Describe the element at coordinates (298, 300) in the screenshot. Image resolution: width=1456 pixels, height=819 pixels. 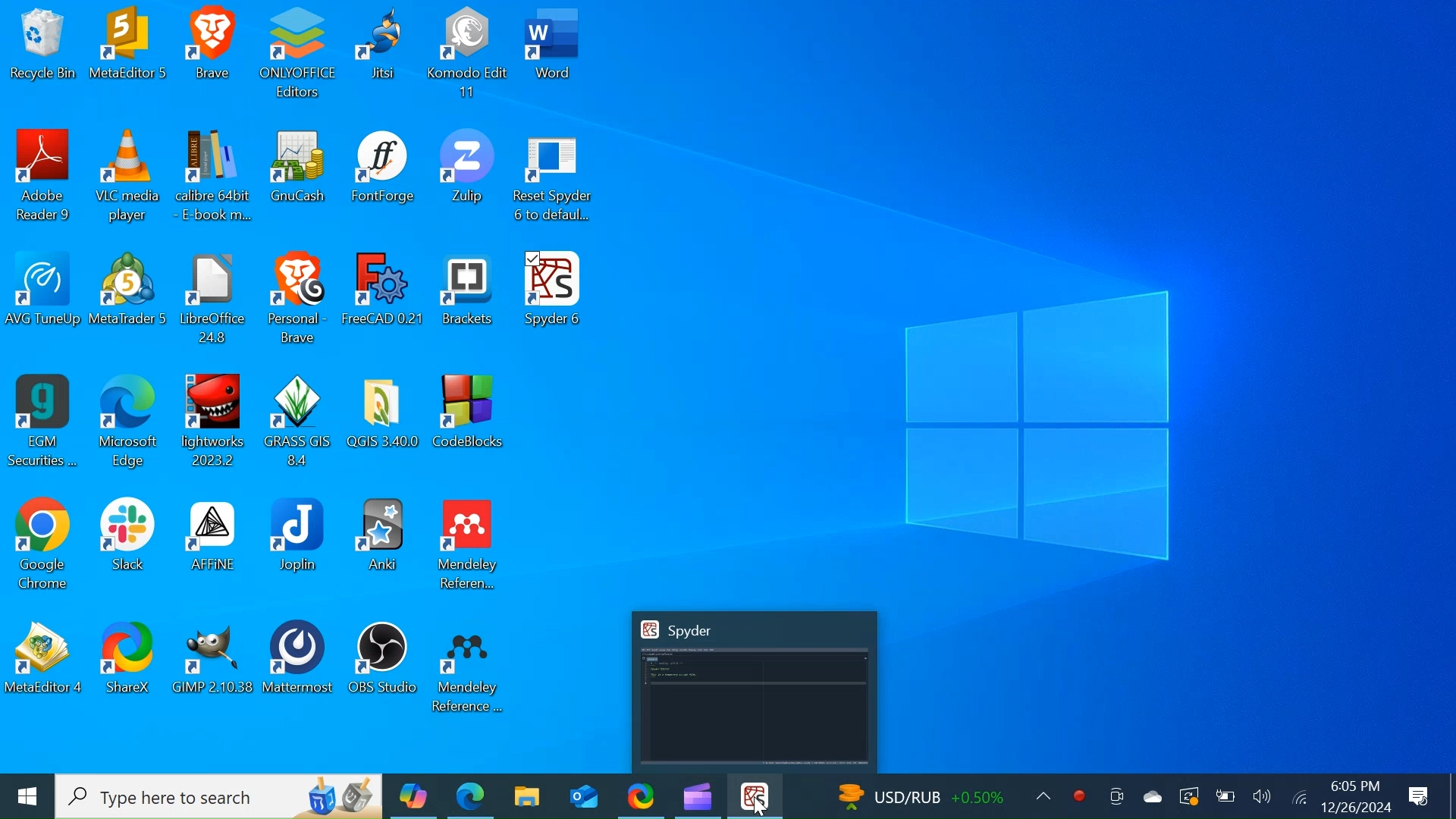
I see `Brave Desktop Icon` at that location.